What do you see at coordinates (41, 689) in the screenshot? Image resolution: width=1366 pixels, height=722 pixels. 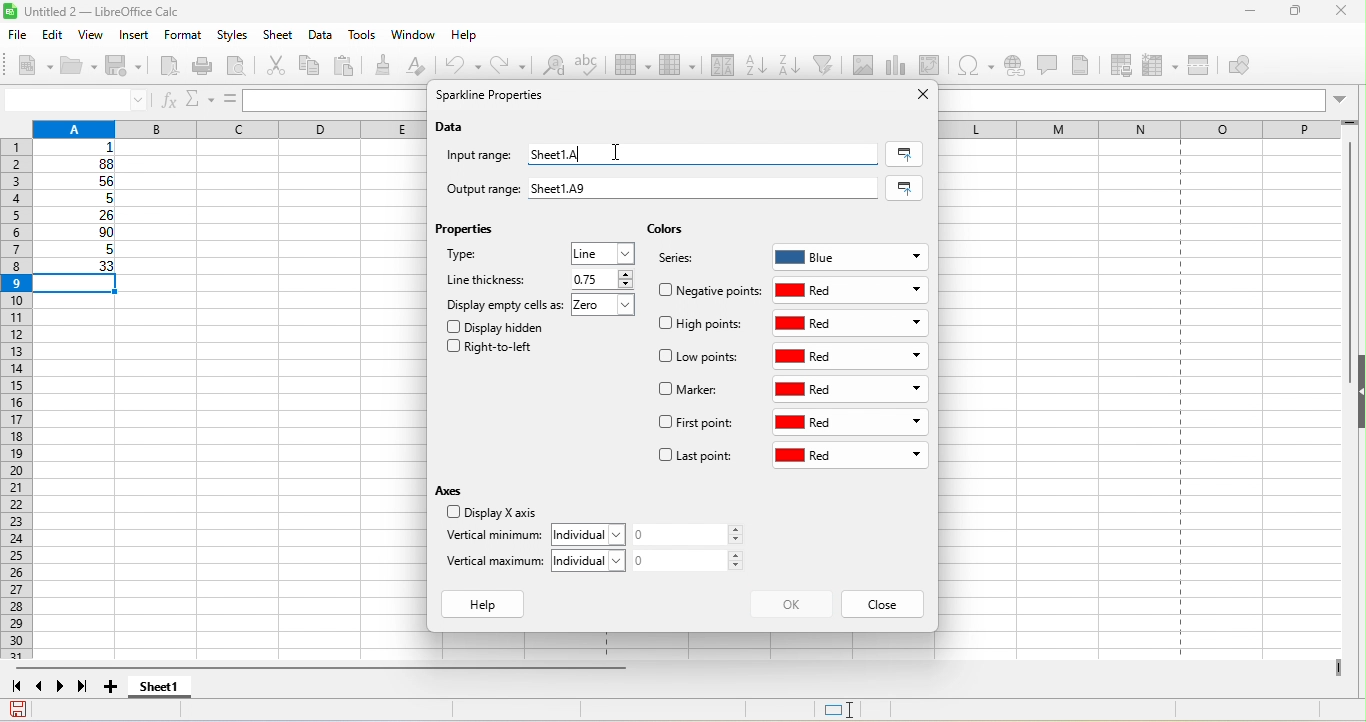 I see `scroll to previous sheet` at bounding box center [41, 689].